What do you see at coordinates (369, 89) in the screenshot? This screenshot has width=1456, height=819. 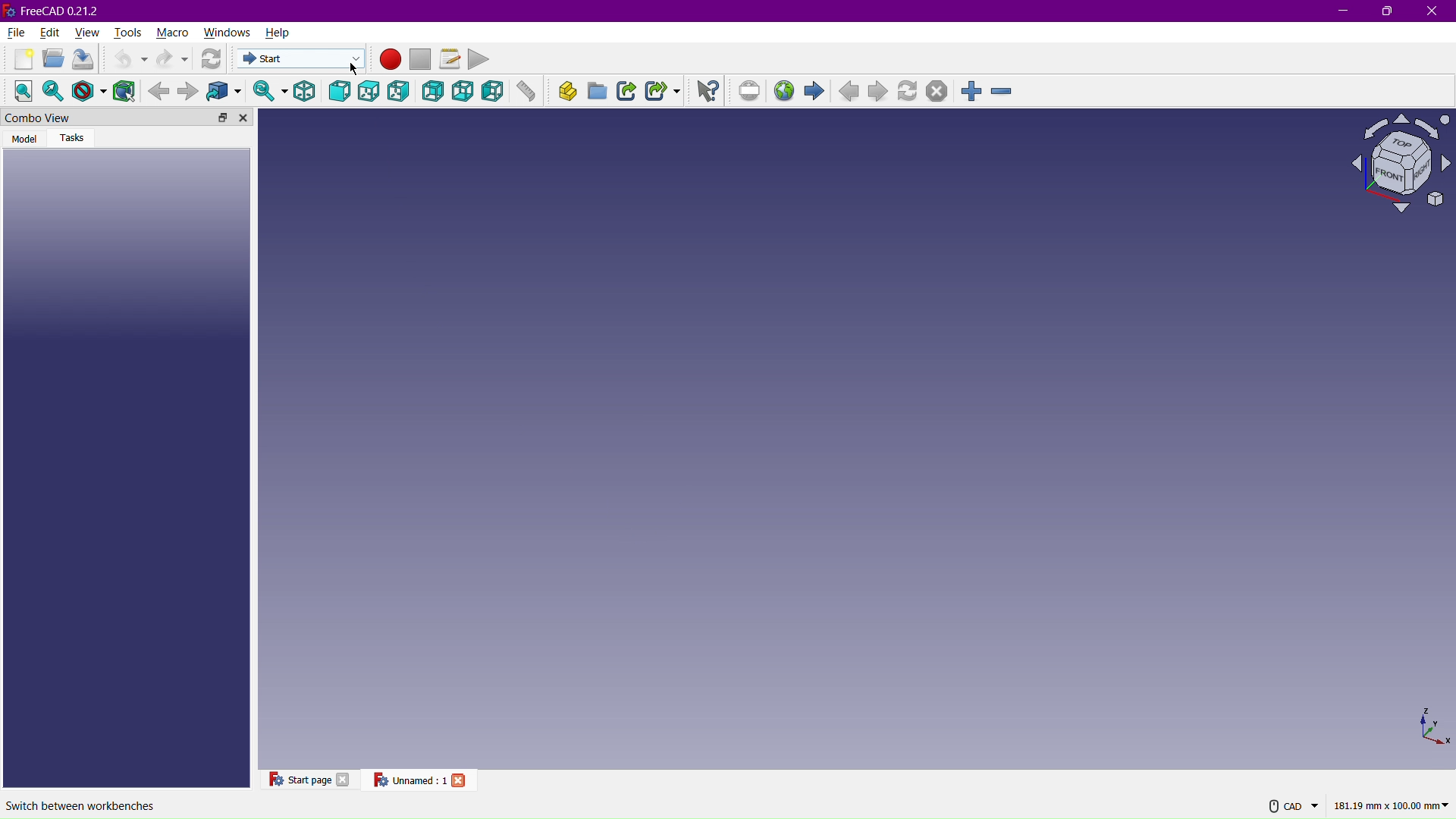 I see `Top` at bounding box center [369, 89].